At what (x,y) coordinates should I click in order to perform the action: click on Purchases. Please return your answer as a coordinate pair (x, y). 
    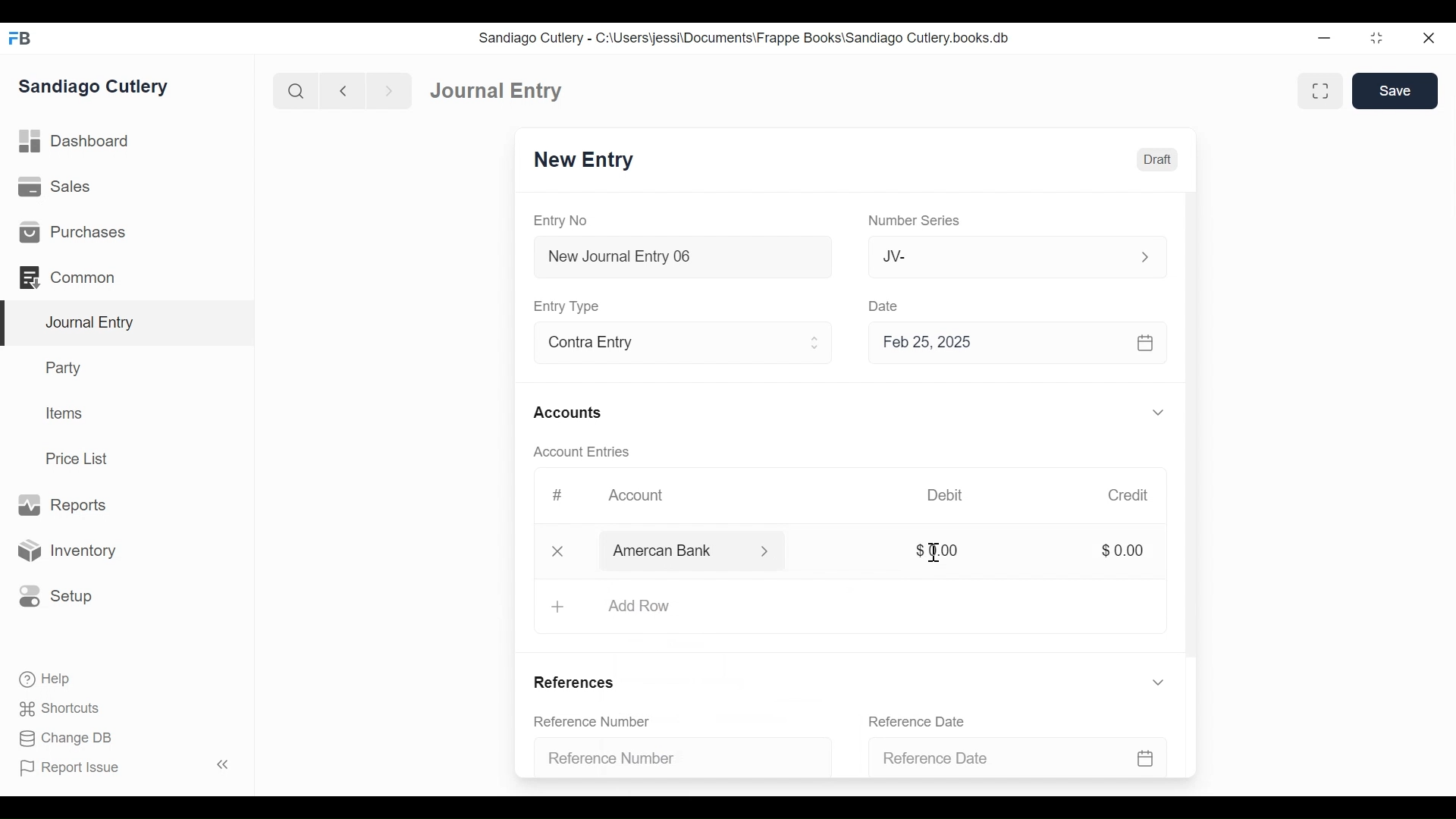
    Looking at the image, I should click on (71, 232).